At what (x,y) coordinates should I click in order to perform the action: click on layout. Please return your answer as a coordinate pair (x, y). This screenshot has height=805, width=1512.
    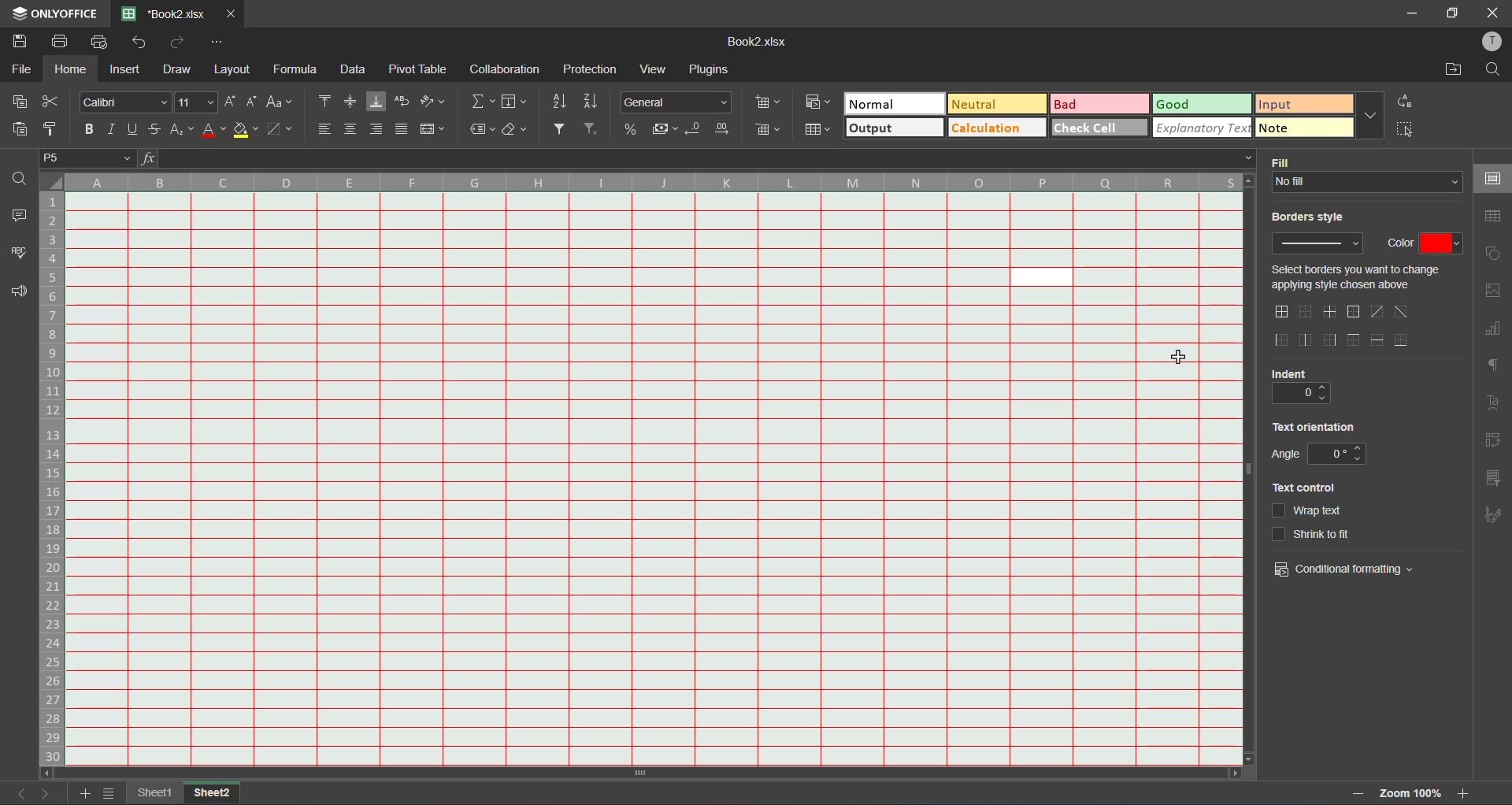
    Looking at the image, I should click on (232, 71).